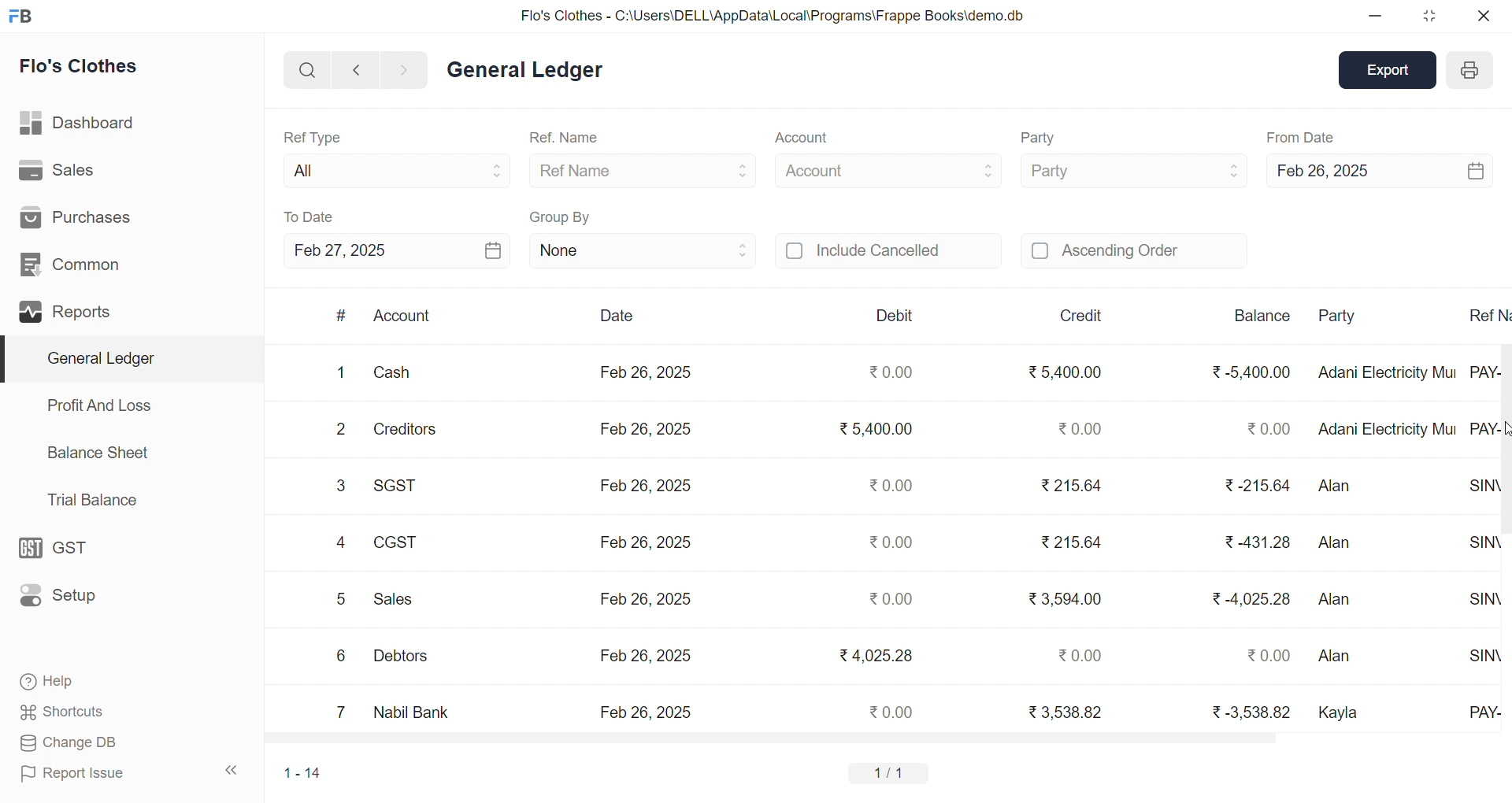  What do you see at coordinates (643, 655) in the screenshot?
I see `Feb 26, 2025` at bounding box center [643, 655].